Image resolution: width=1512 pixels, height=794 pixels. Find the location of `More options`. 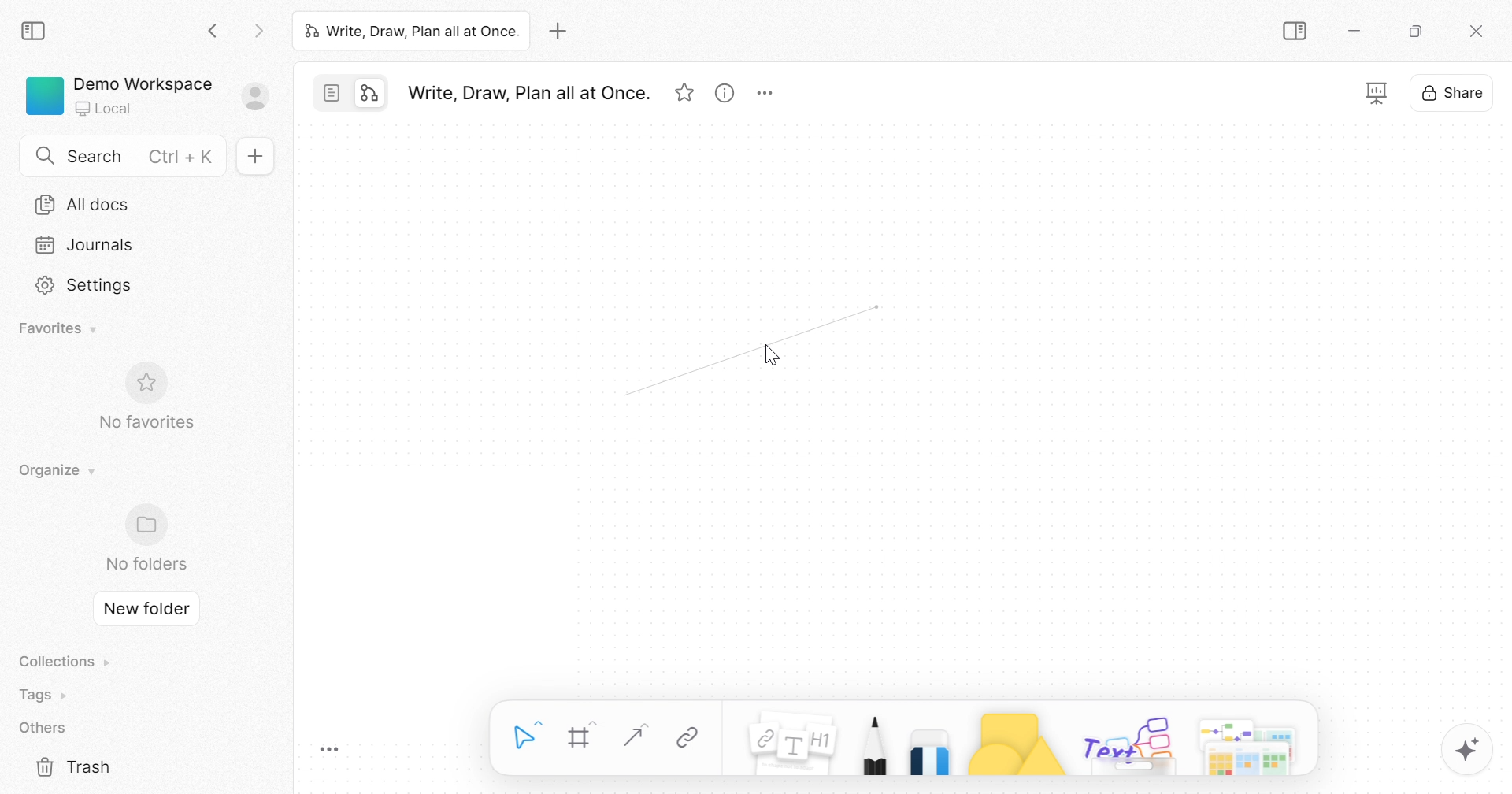

More options is located at coordinates (1250, 743).